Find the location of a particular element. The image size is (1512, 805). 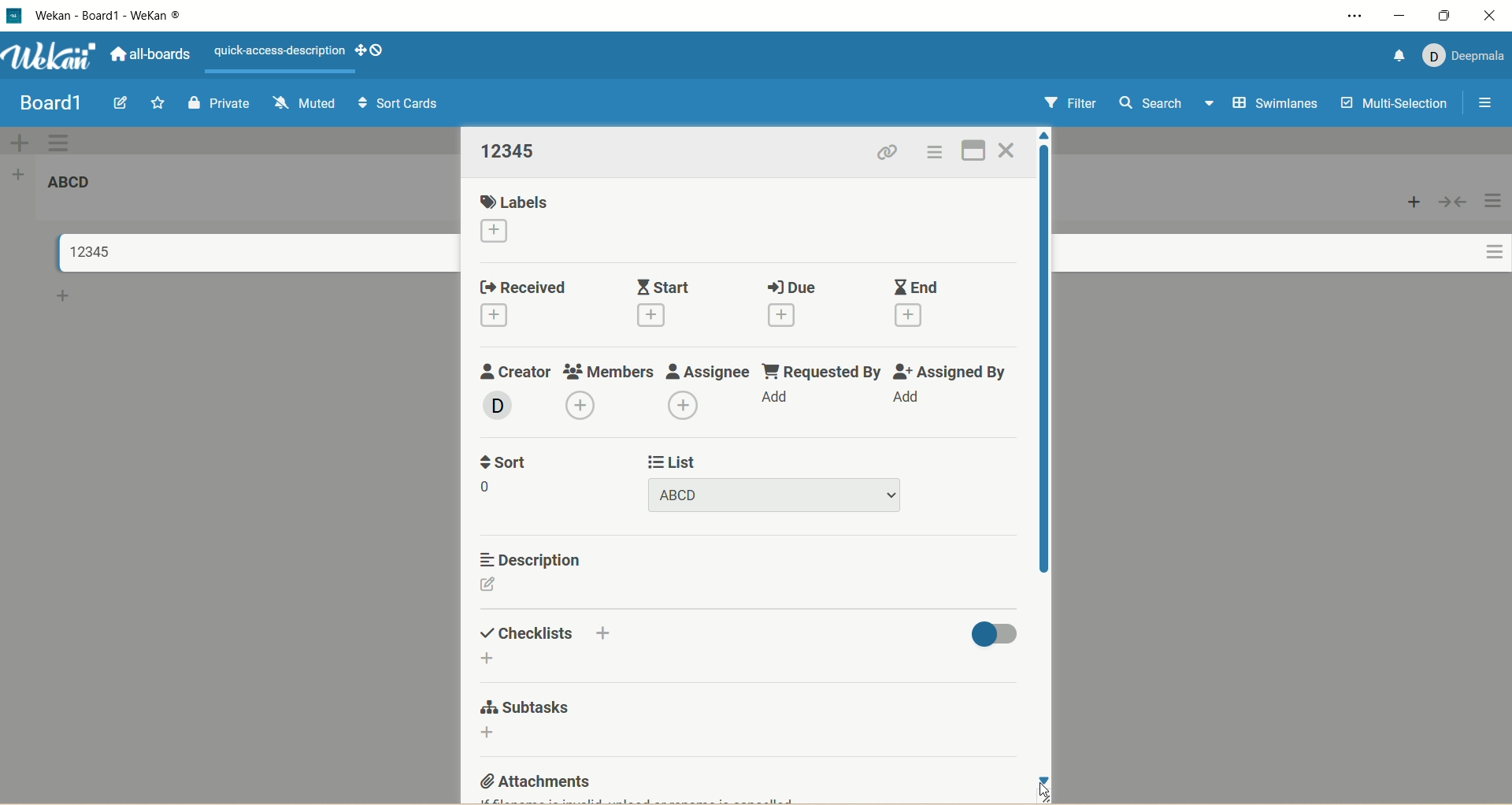

account is located at coordinates (1463, 52).